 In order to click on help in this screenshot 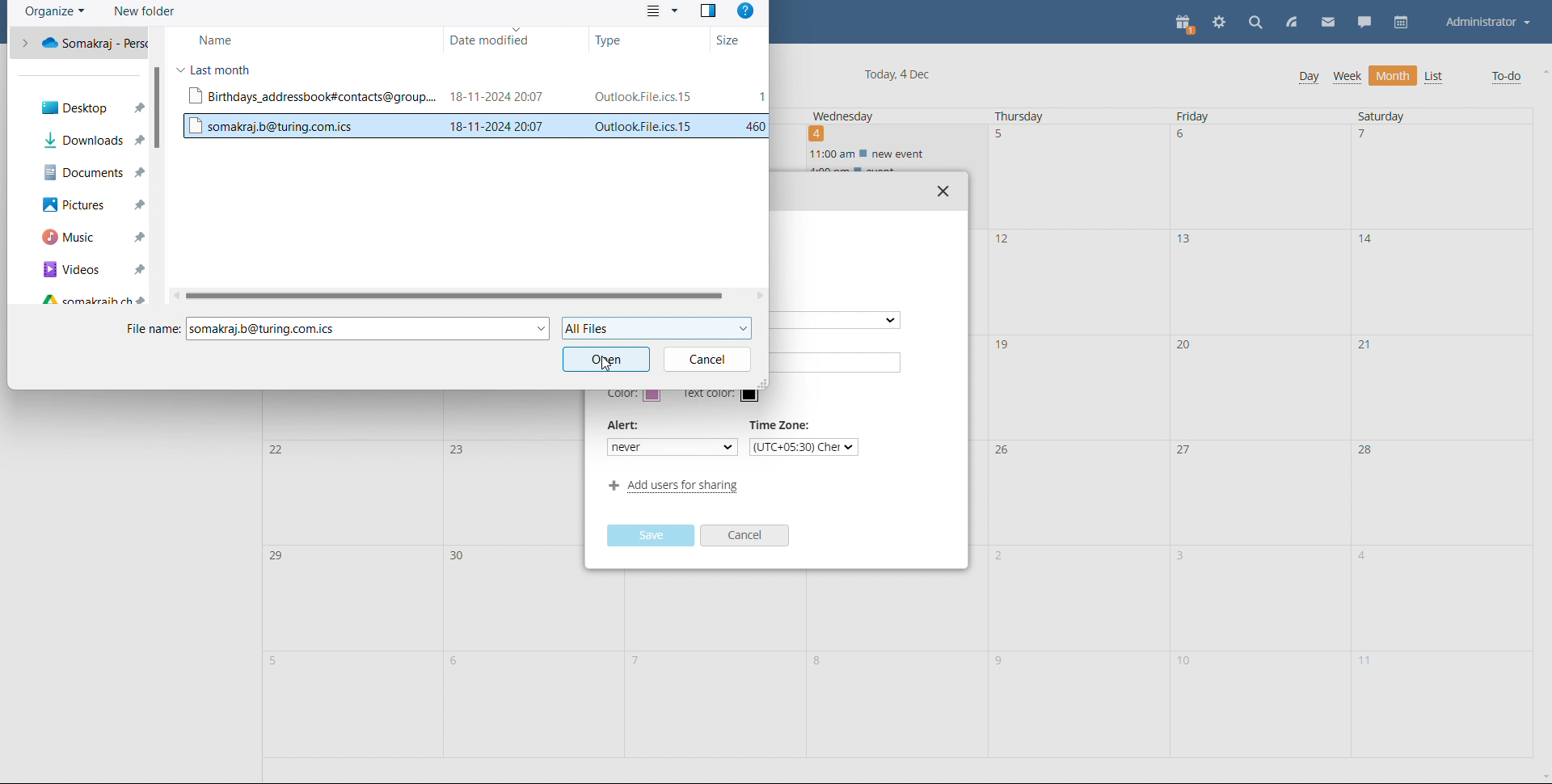, I will do `click(744, 12)`.